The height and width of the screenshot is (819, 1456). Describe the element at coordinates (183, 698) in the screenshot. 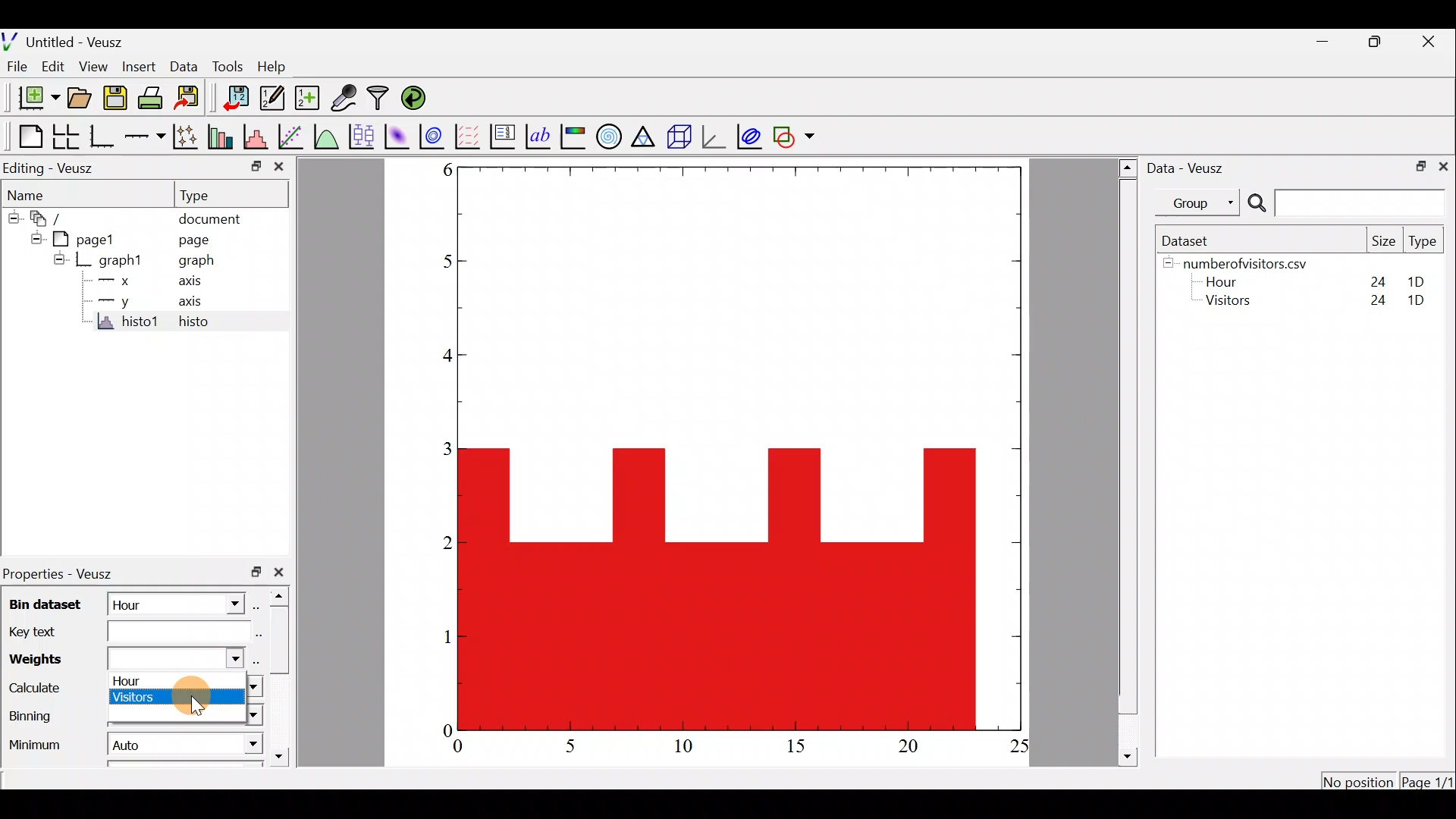

I see `Cursor` at that location.